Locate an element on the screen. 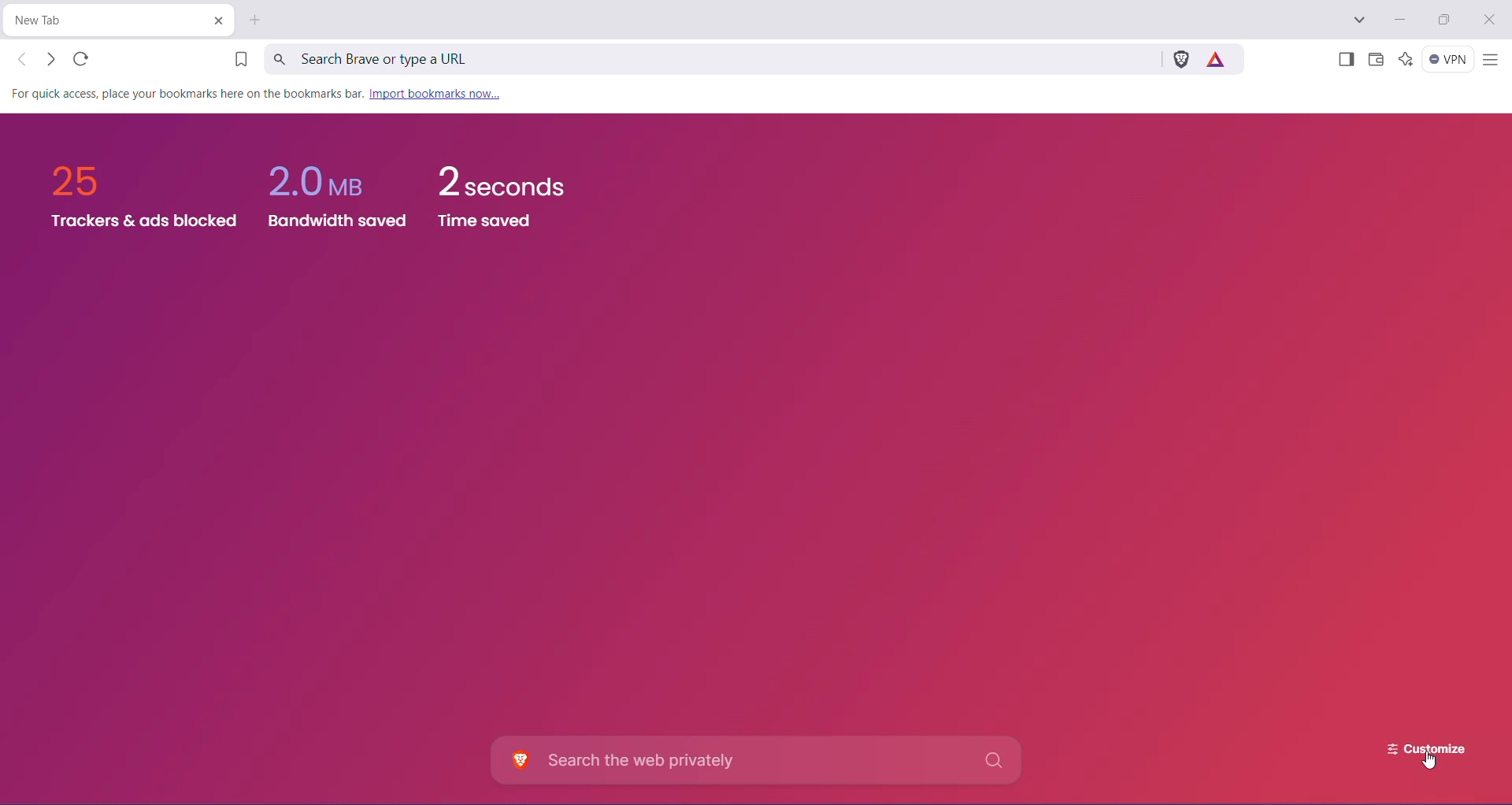 Image resolution: width=1512 pixels, height=805 pixels. Bookmark this Tab is located at coordinates (235, 61).